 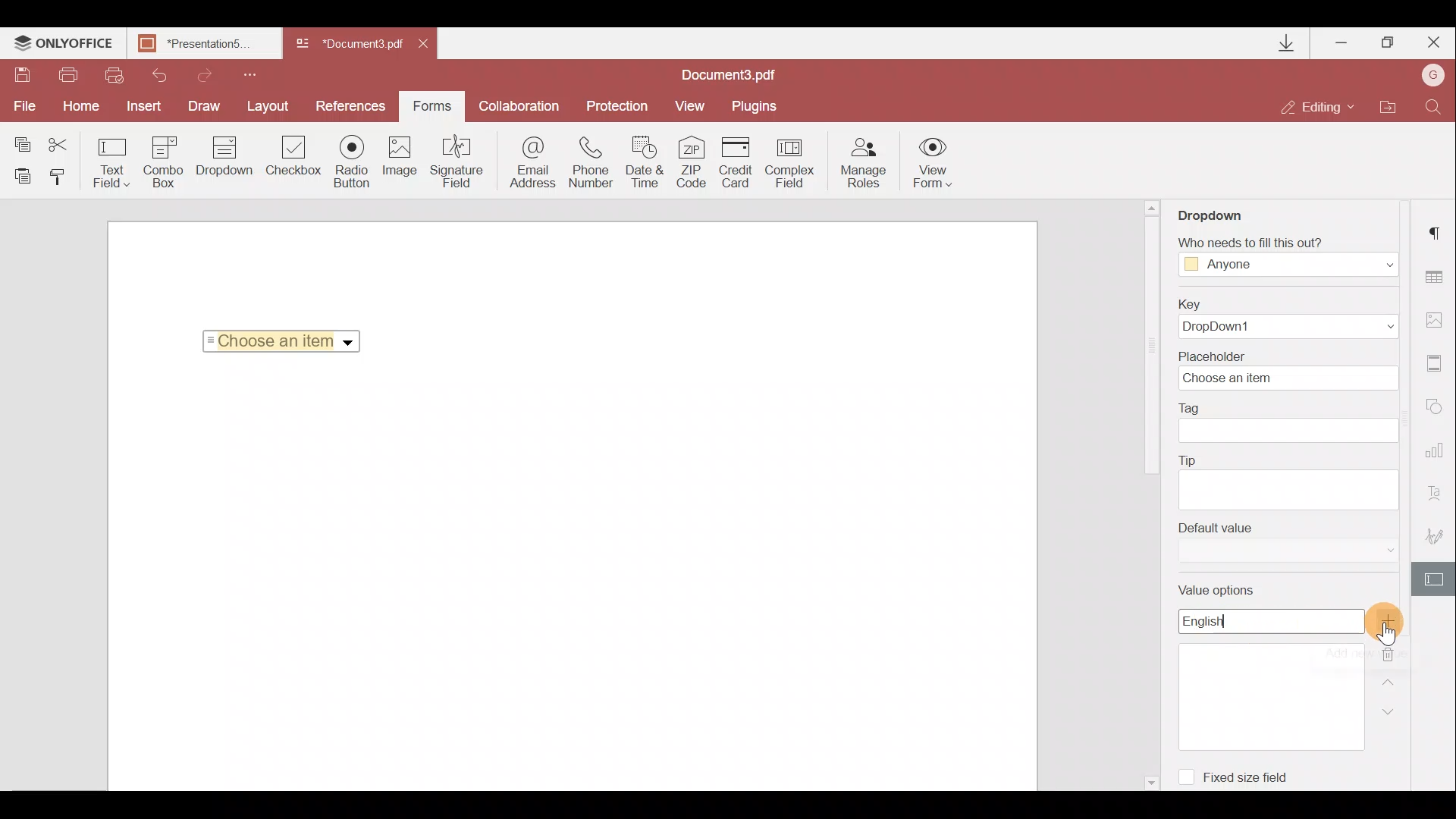 What do you see at coordinates (70, 76) in the screenshot?
I see `Print file` at bounding box center [70, 76].